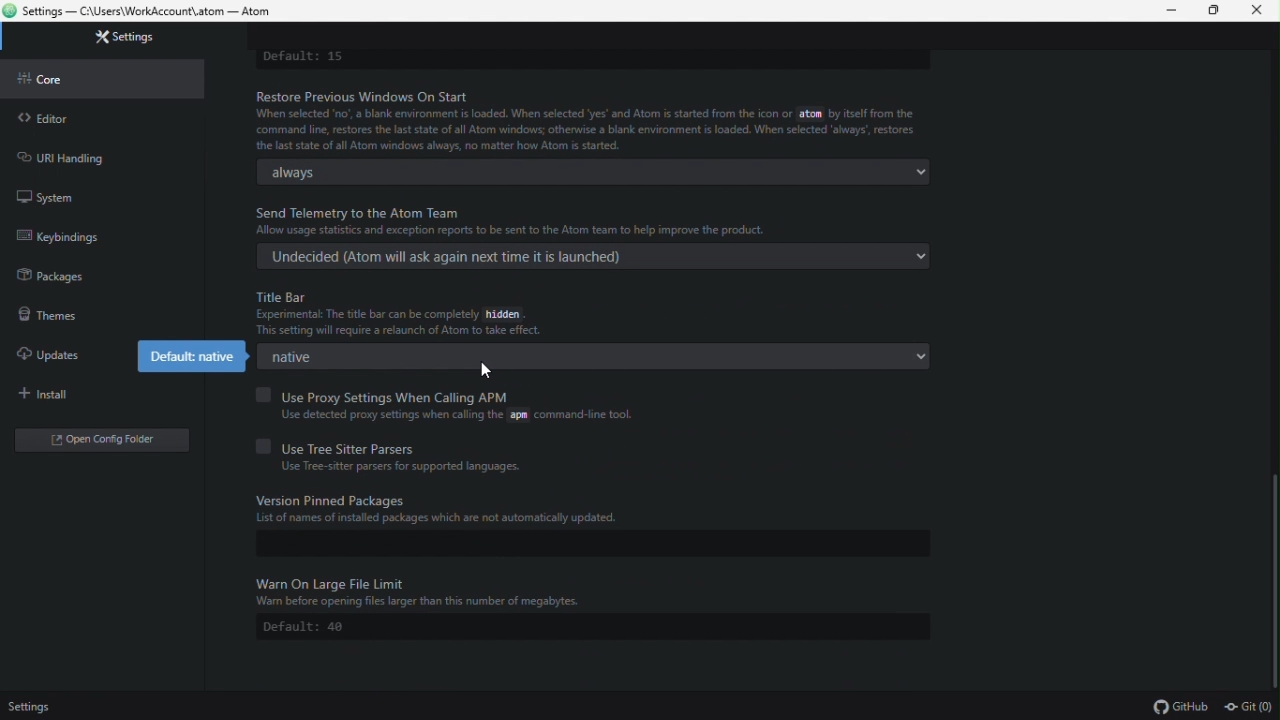 This screenshot has width=1280, height=720. Describe the element at coordinates (552, 313) in the screenshot. I see `Title Bar Experimental: The tital bar can be completely hidden. This setting will require a relaunch of Atom to take effect.` at that location.